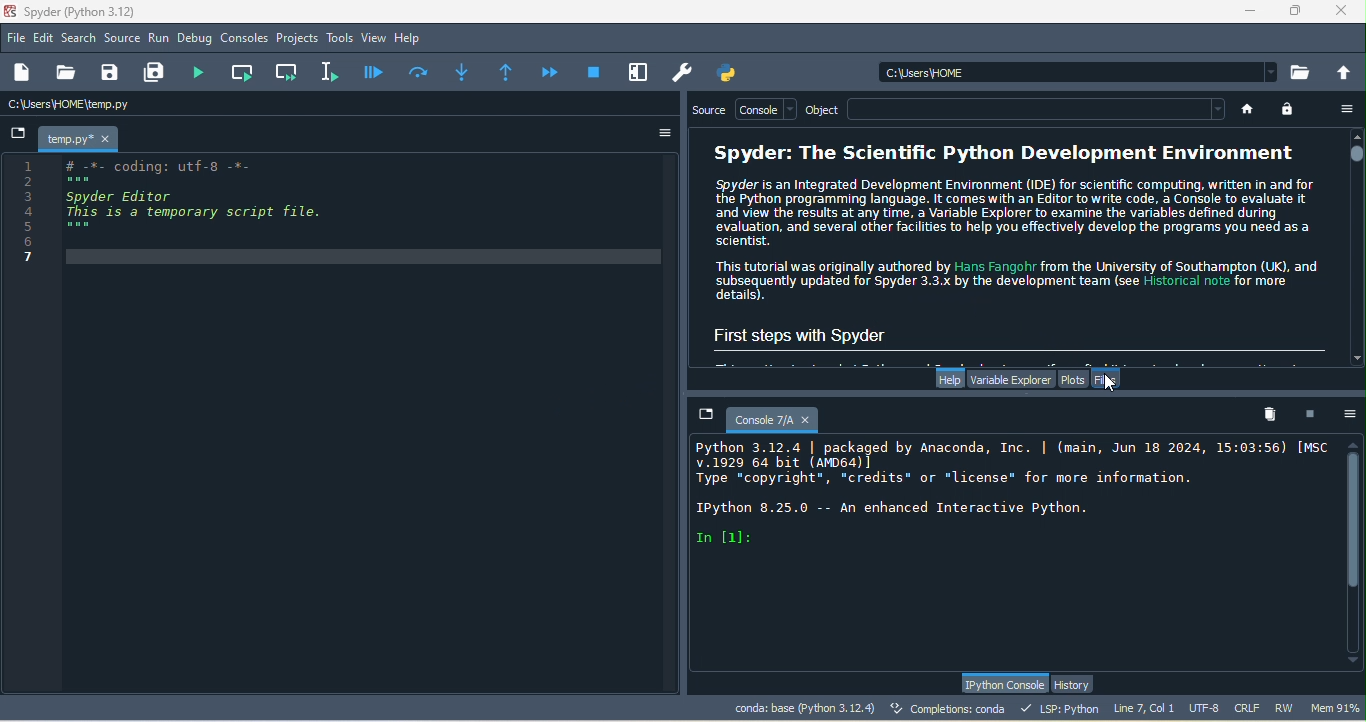 The height and width of the screenshot is (722, 1366). What do you see at coordinates (1355, 443) in the screenshot?
I see `scroll up` at bounding box center [1355, 443].